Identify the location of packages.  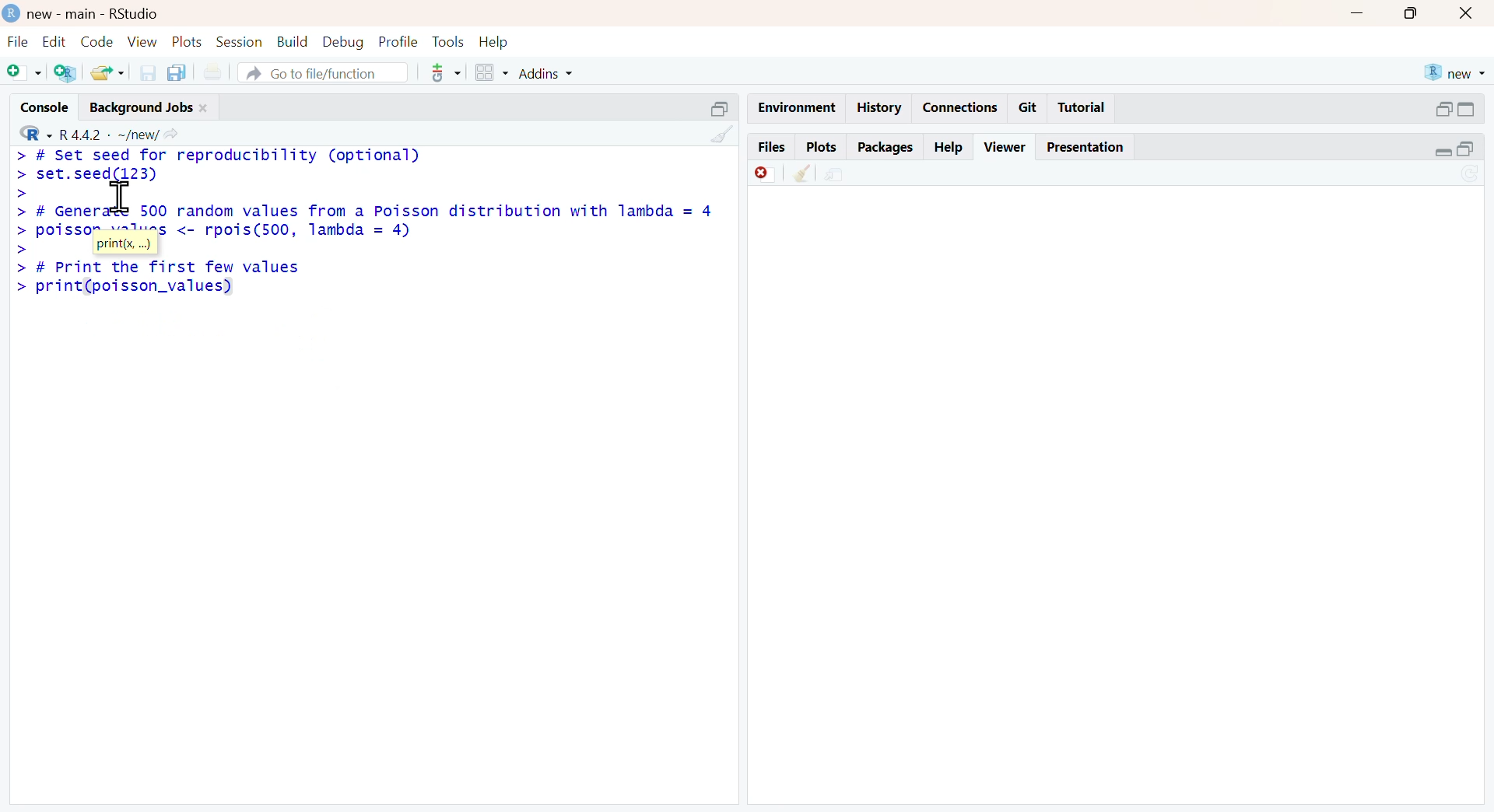
(886, 148).